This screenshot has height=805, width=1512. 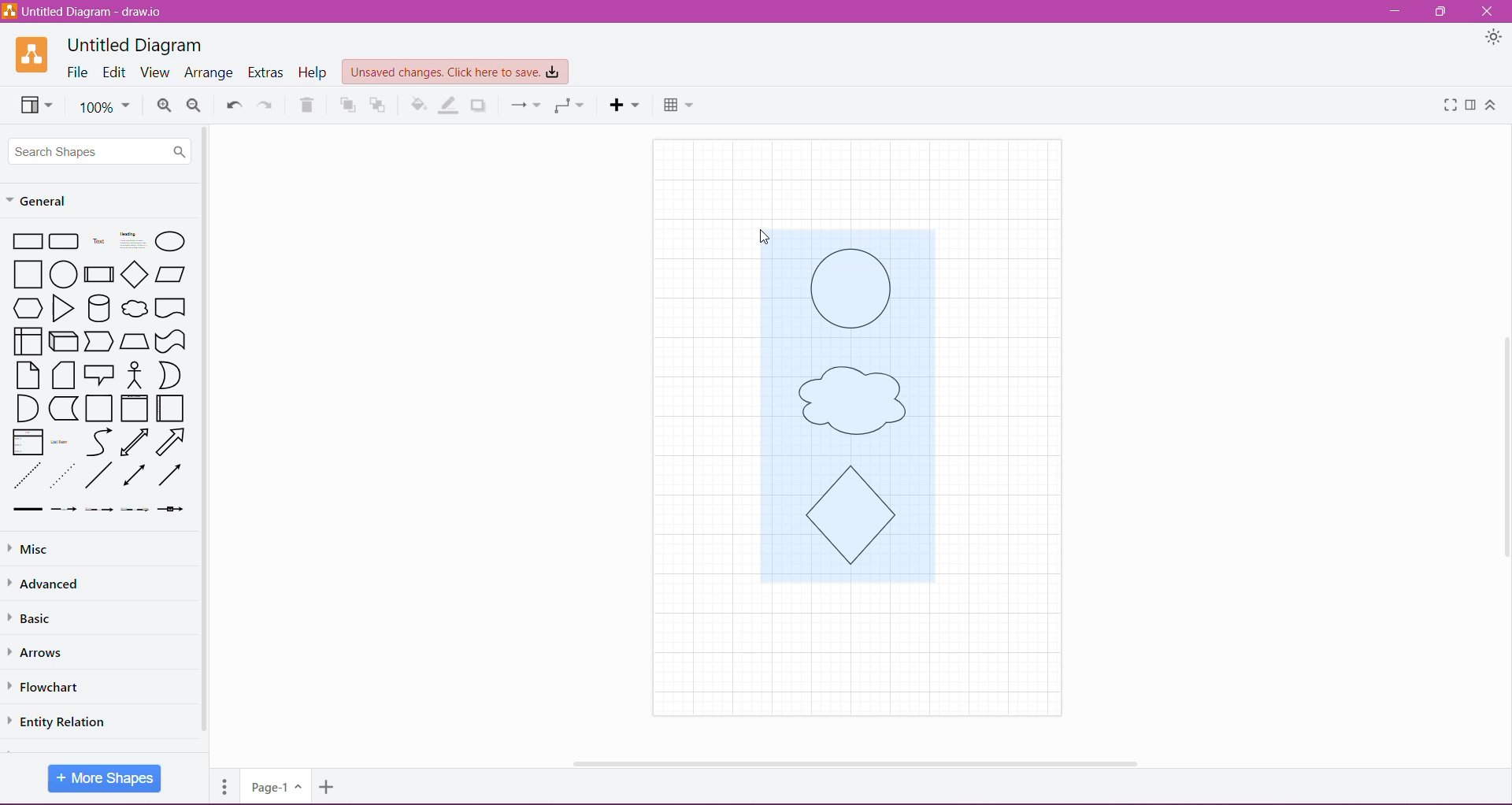 What do you see at coordinates (523, 105) in the screenshot?
I see `Connection` at bounding box center [523, 105].